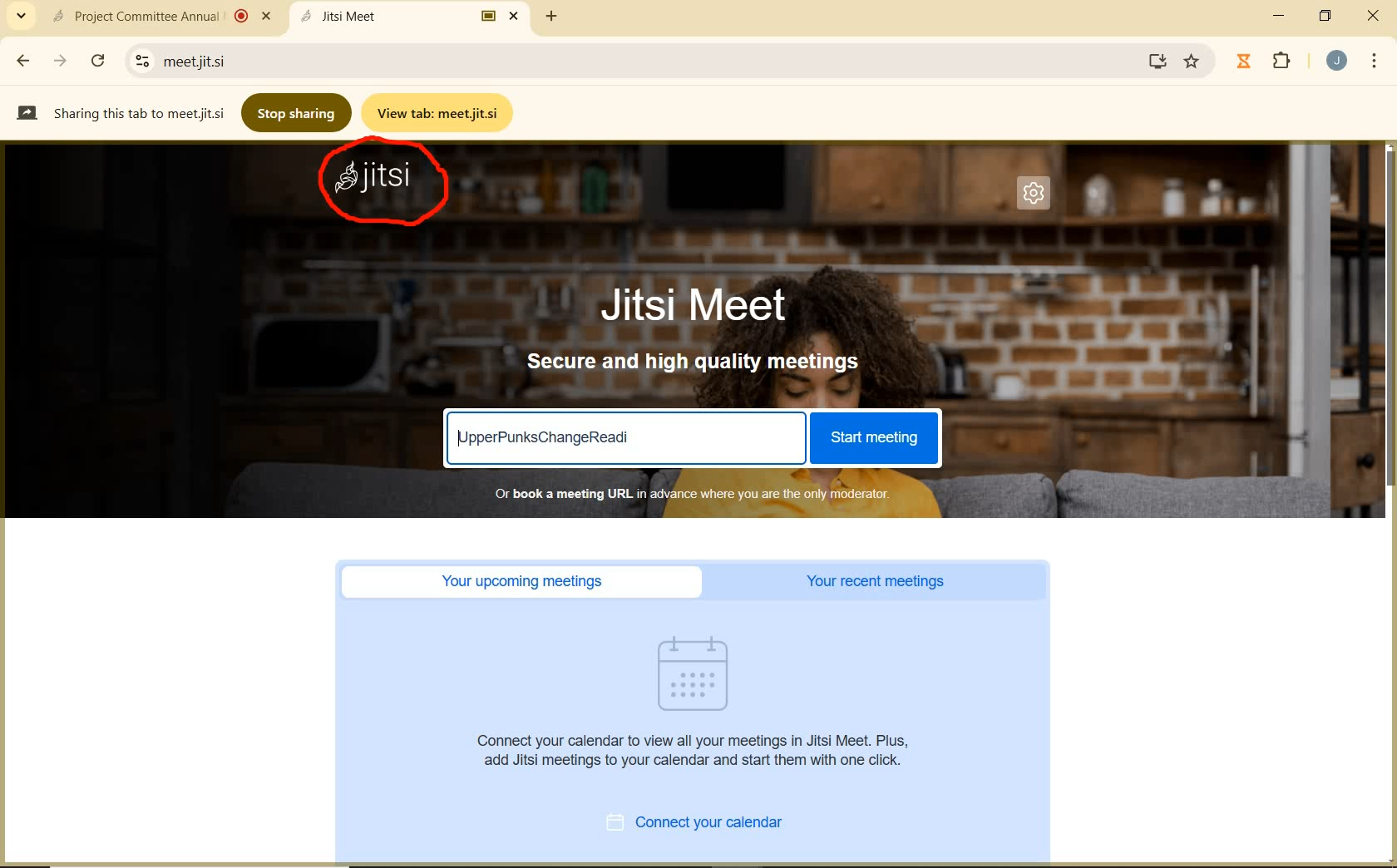  I want to click on ADD NEW TAB, so click(552, 16).